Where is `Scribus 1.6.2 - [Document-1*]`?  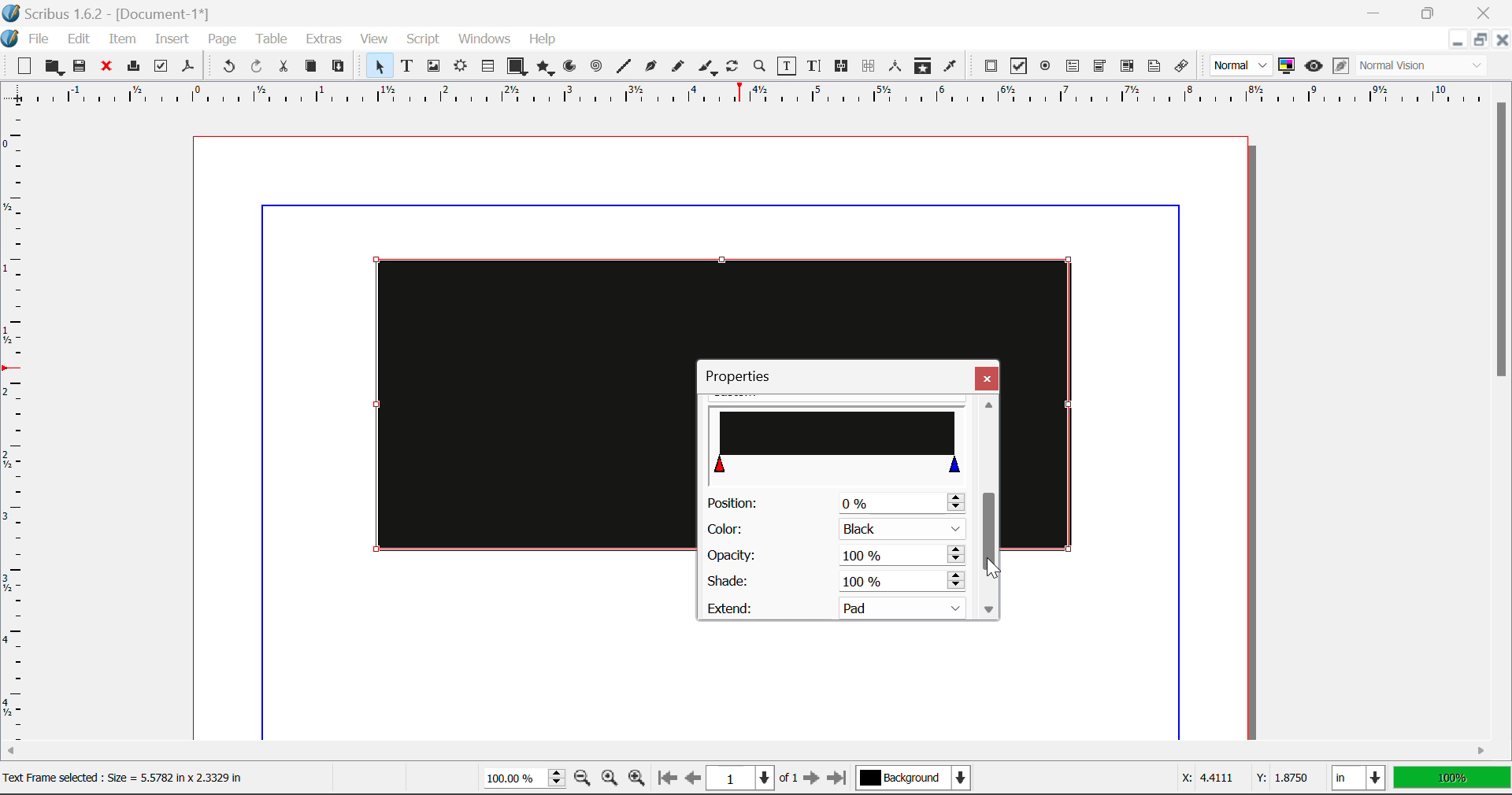 Scribus 1.6.2 - [Document-1*] is located at coordinates (109, 14).